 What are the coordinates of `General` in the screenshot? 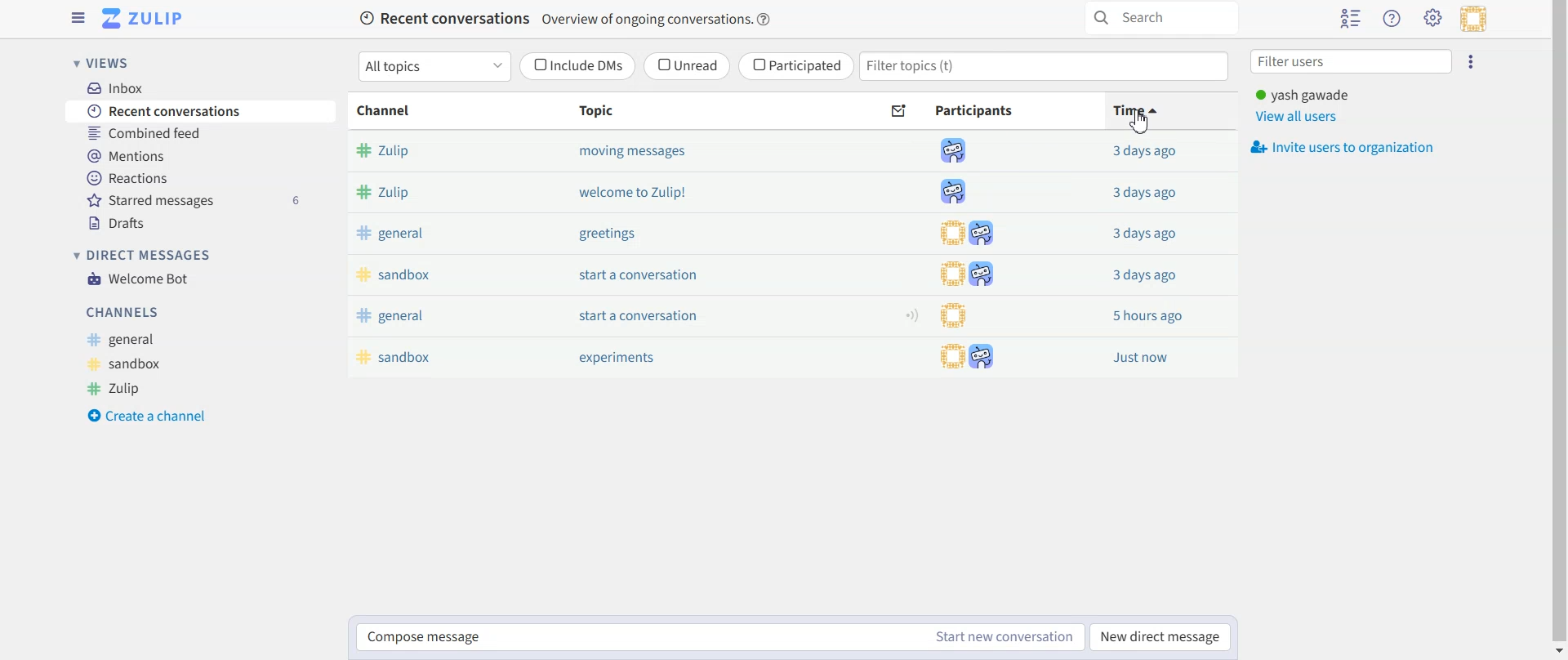 It's located at (119, 340).